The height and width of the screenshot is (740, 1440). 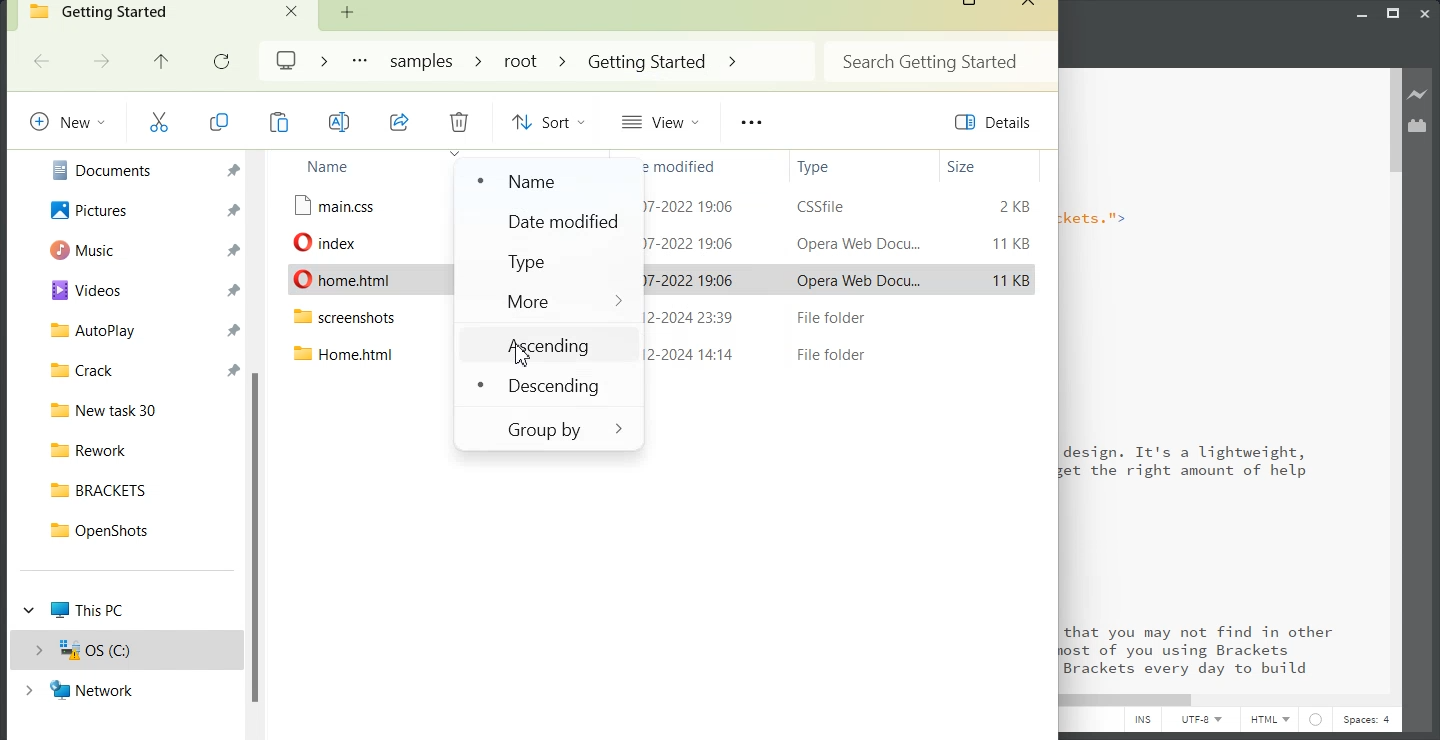 I want to click on BRACKETS File, so click(x=140, y=490).